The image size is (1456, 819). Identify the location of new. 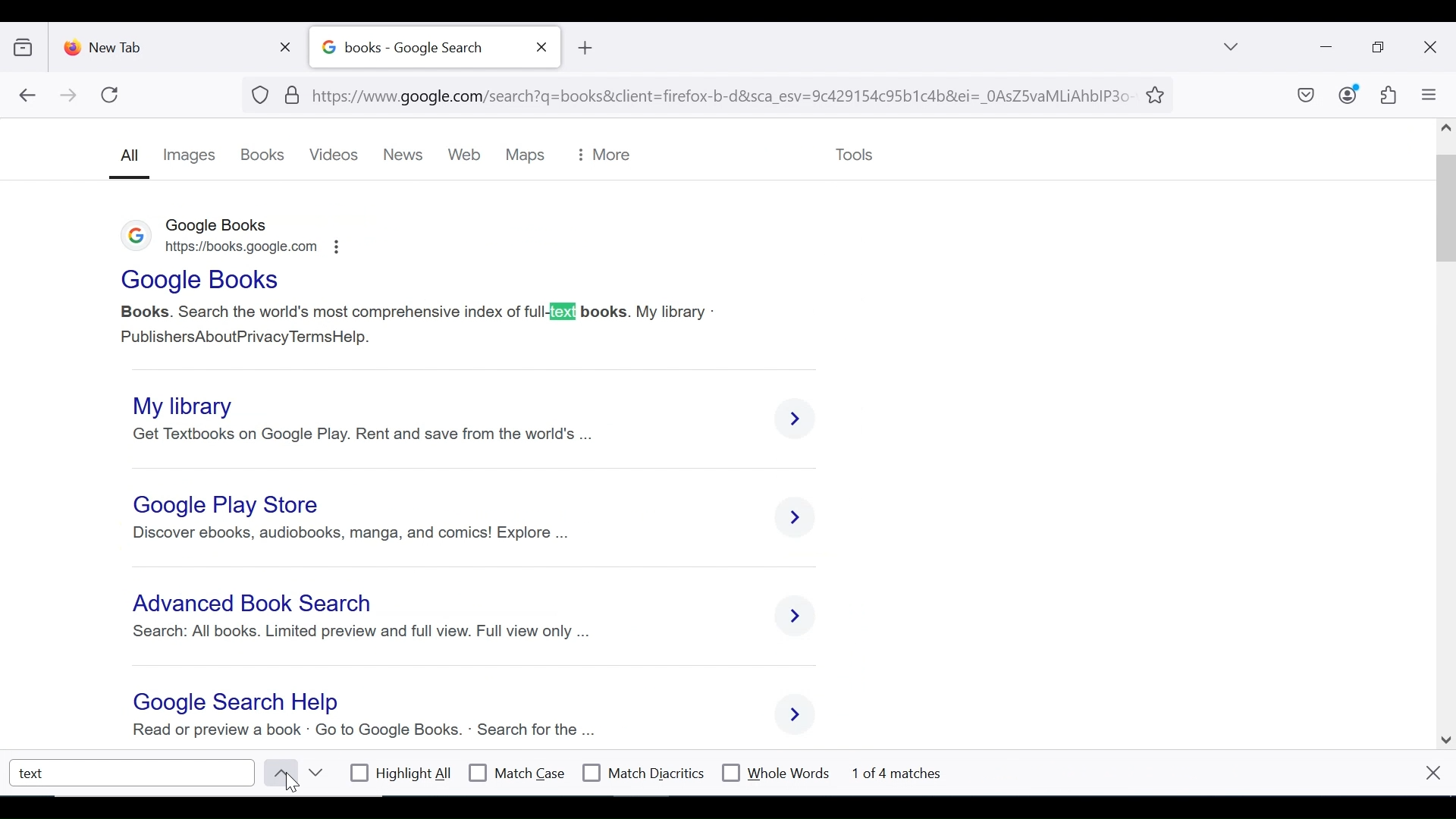
(407, 155).